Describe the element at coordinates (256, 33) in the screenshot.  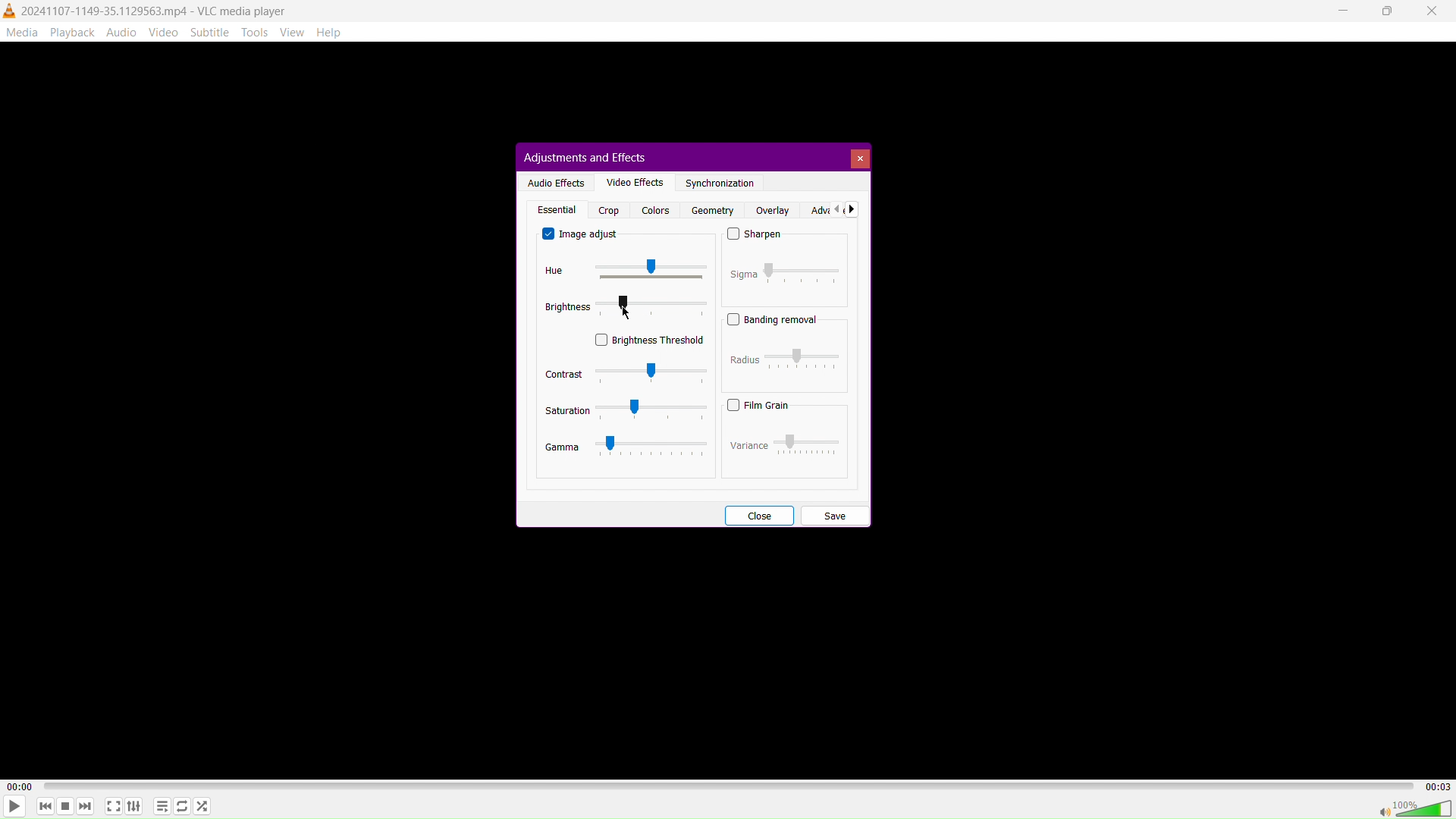
I see `Tools` at that location.